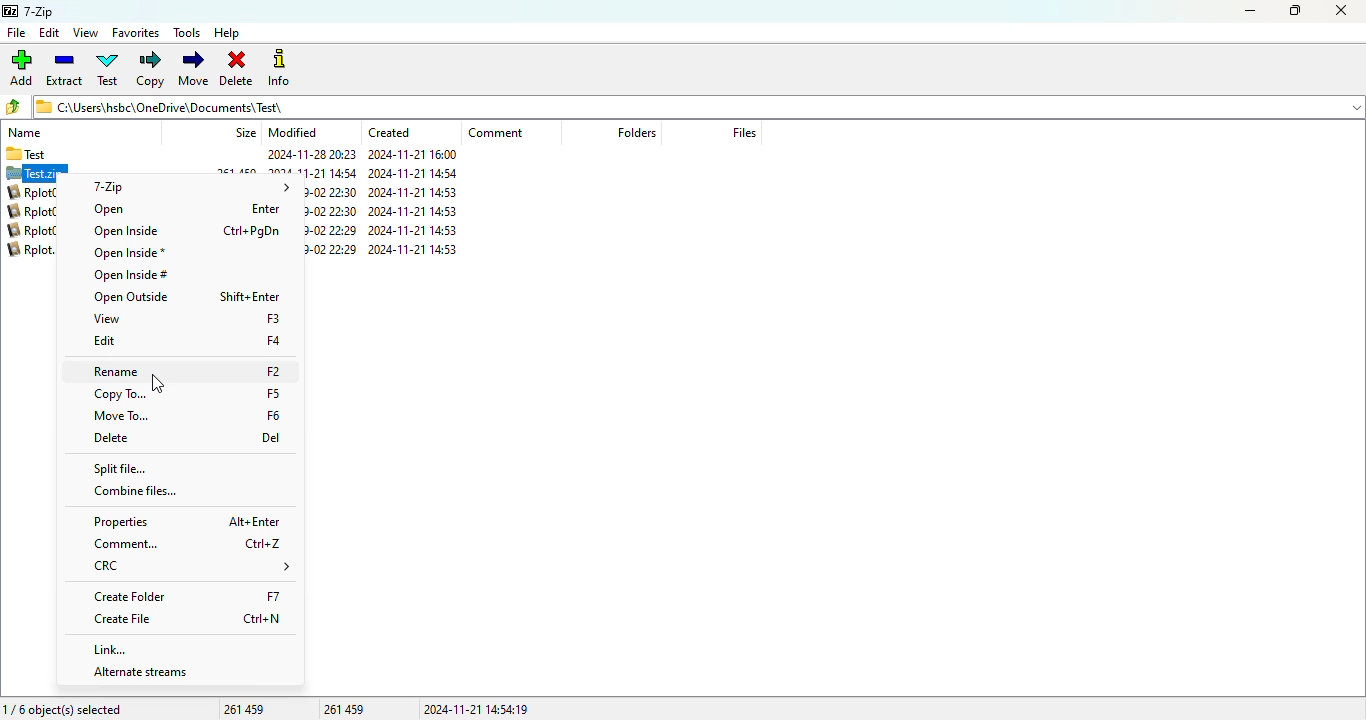  What do you see at coordinates (187, 33) in the screenshot?
I see `tools` at bounding box center [187, 33].